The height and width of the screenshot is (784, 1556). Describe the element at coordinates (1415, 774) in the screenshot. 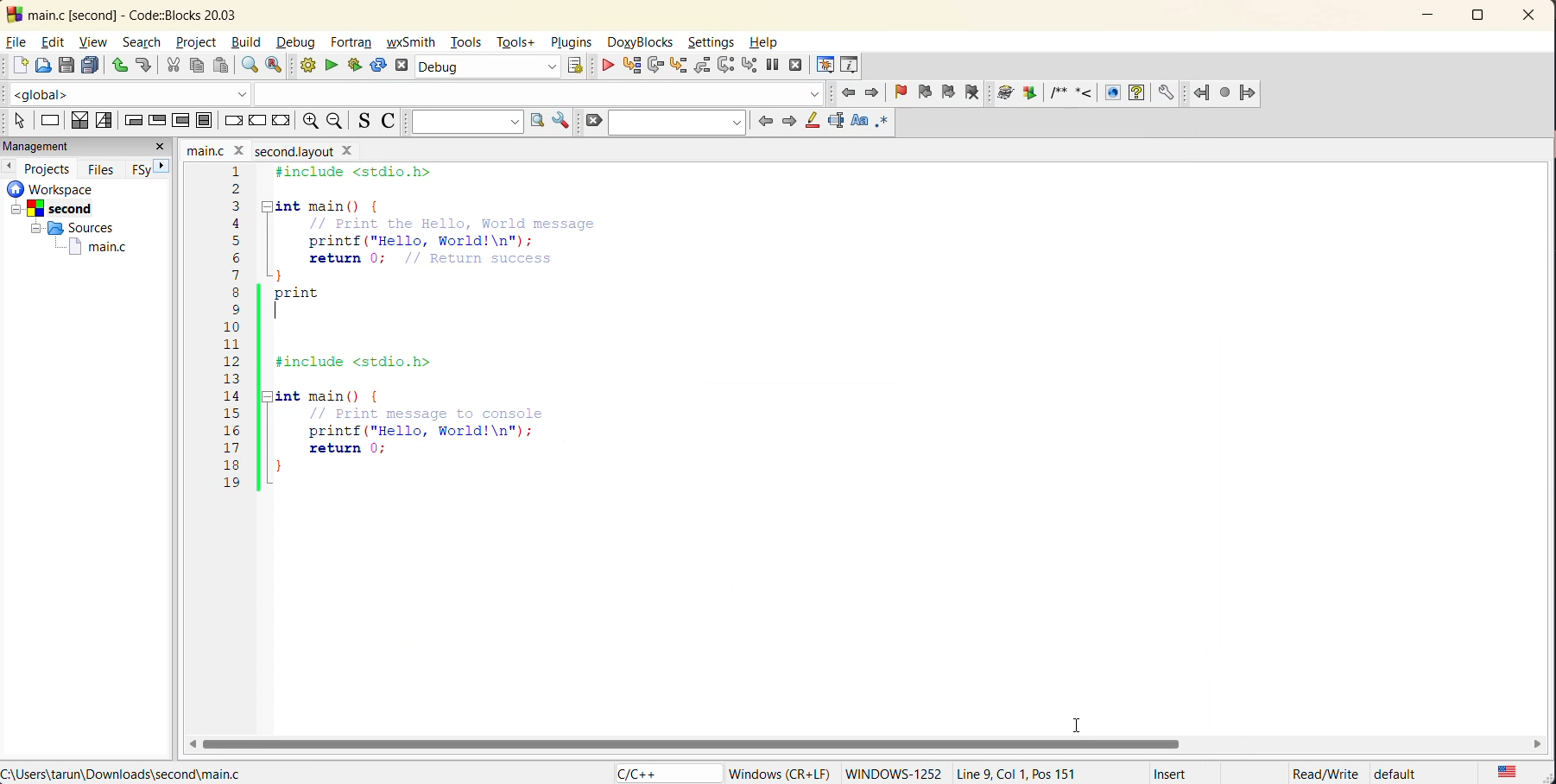

I see `default` at that location.